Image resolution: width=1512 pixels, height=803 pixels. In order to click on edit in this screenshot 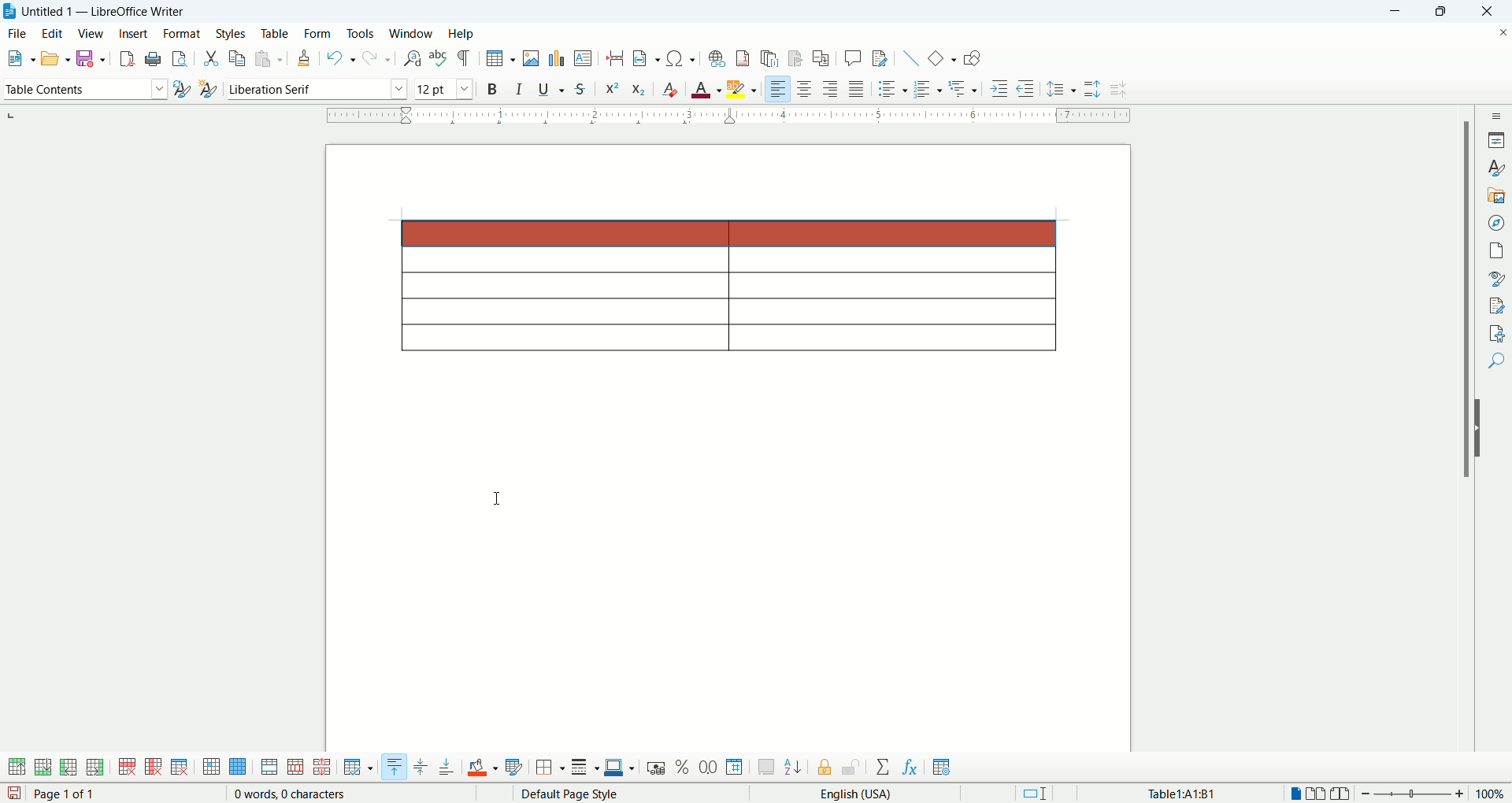, I will do `click(51, 33)`.